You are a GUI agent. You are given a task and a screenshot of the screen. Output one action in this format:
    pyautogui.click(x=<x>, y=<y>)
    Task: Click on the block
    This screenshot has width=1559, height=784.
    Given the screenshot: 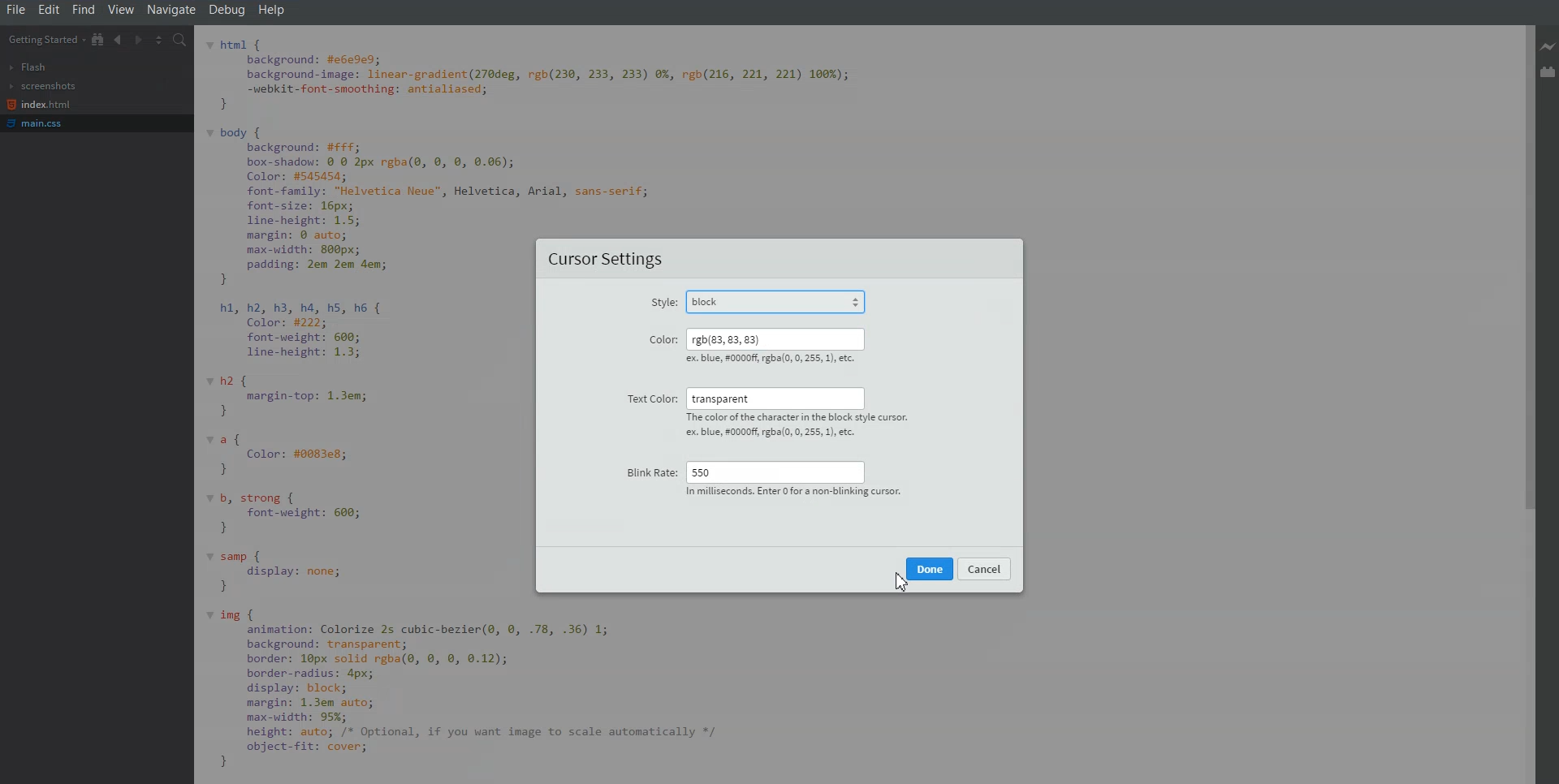 What is the action you would take?
    pyautogui.click(x=784, y=299)
    